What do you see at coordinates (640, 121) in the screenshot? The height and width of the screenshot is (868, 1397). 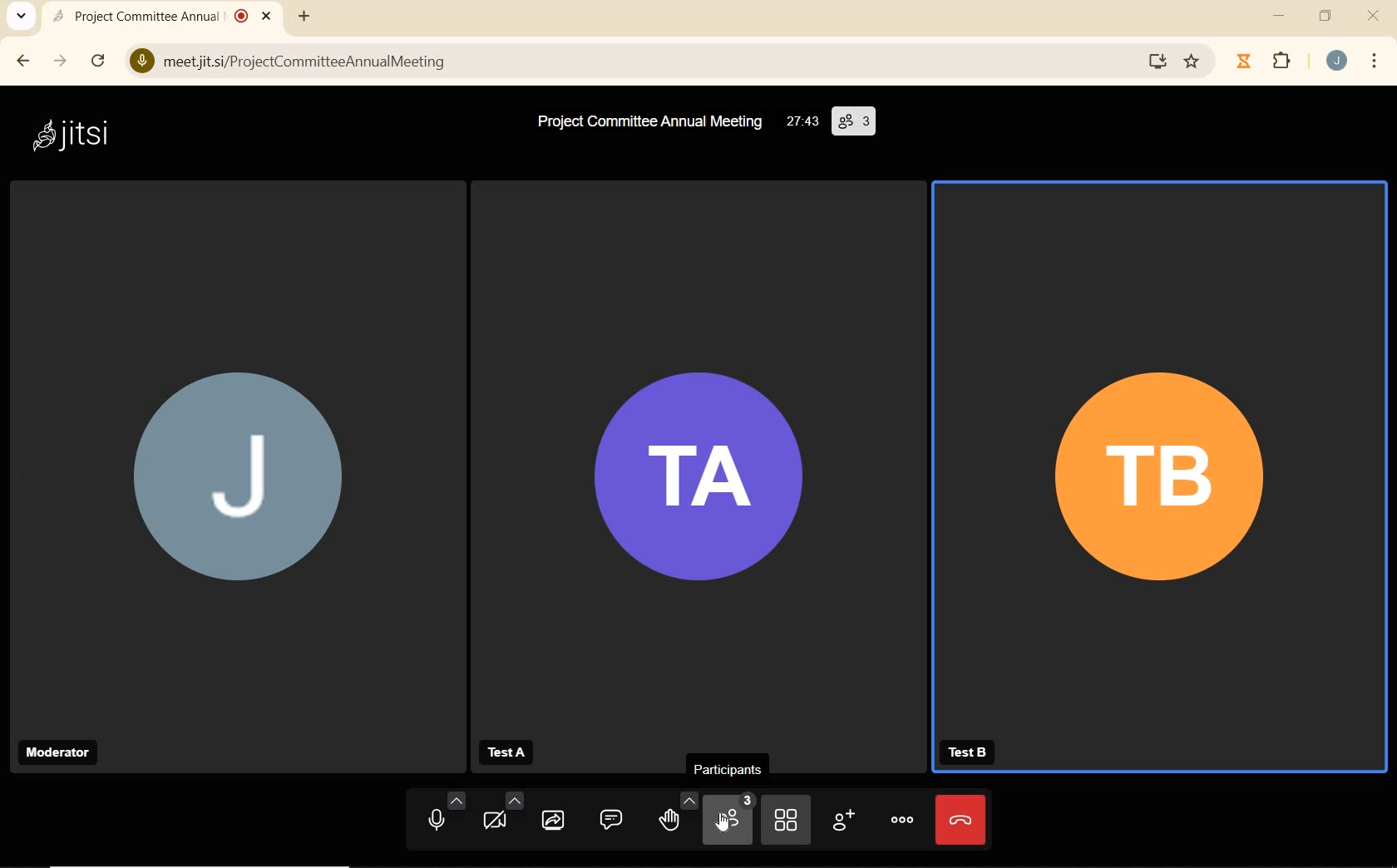 I see `Project Committee Annual Meeting` at bounding box center [640, 121].